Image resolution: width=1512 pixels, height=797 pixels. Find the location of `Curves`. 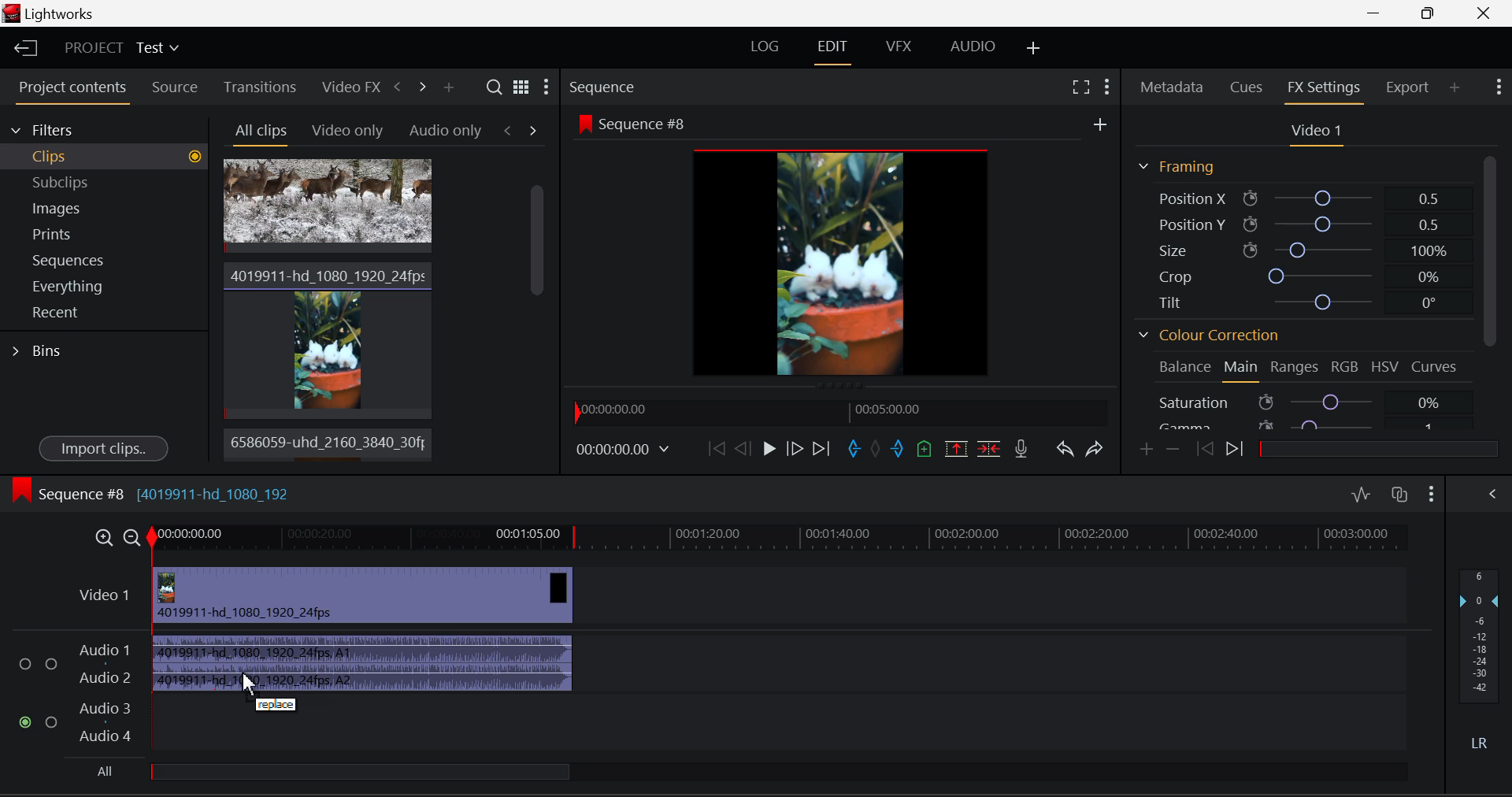

Curves is located at coordinates (1438, 365).